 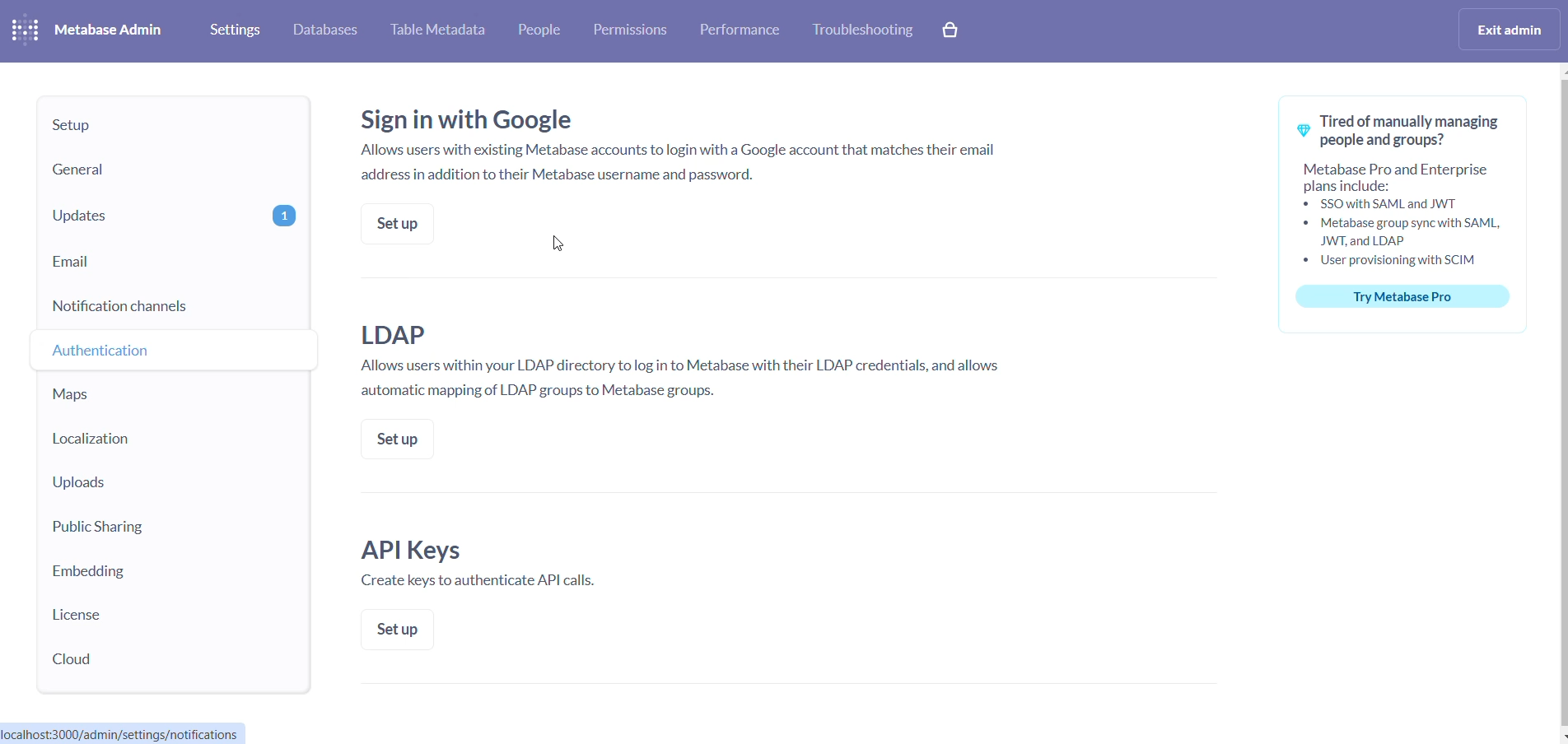 What do you see at coordinates (396, 631) in the screenshot?
I see `set up API` at bounding box center [396, 631].